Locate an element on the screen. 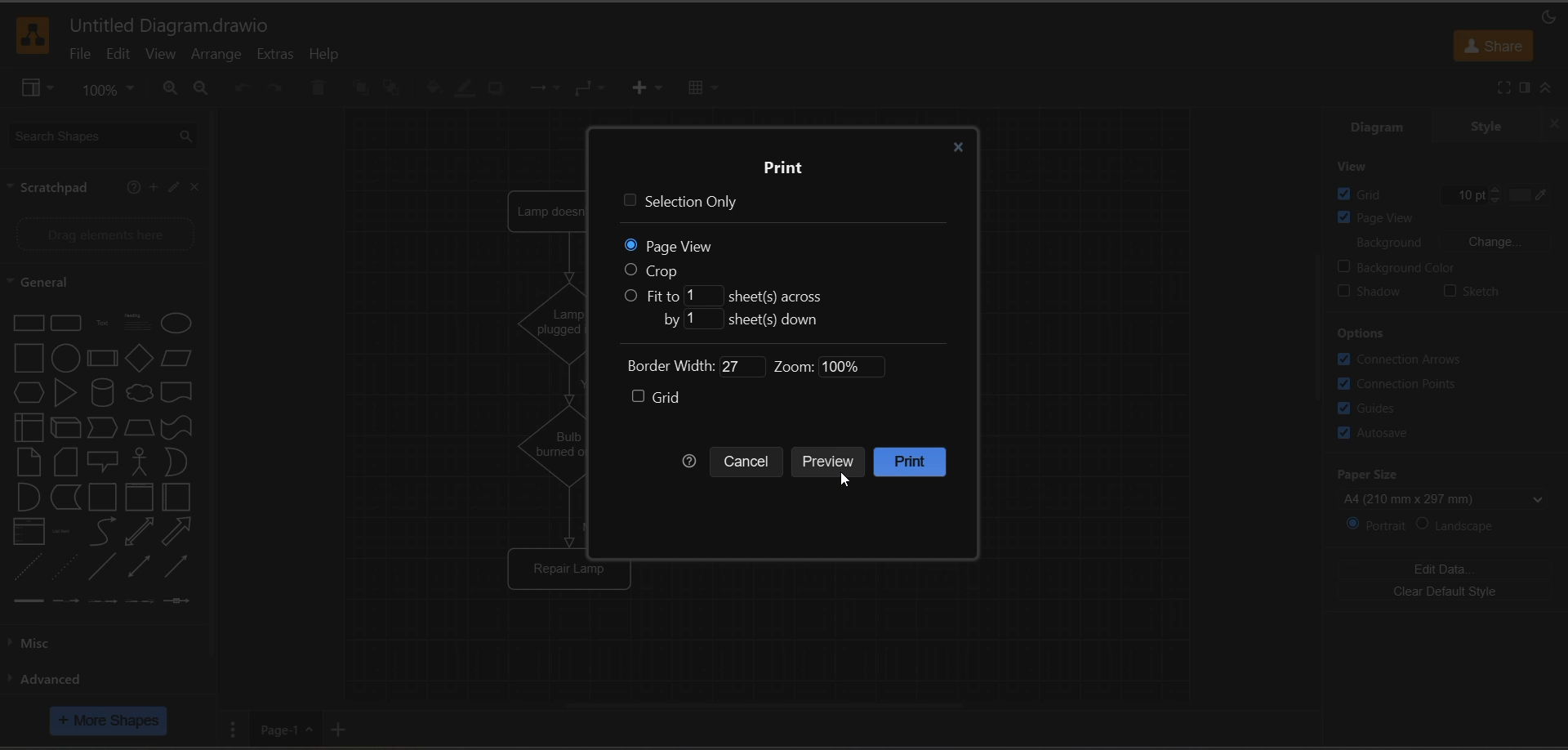 The image size is (1568, 750). view is located at coordinates (159, 55).